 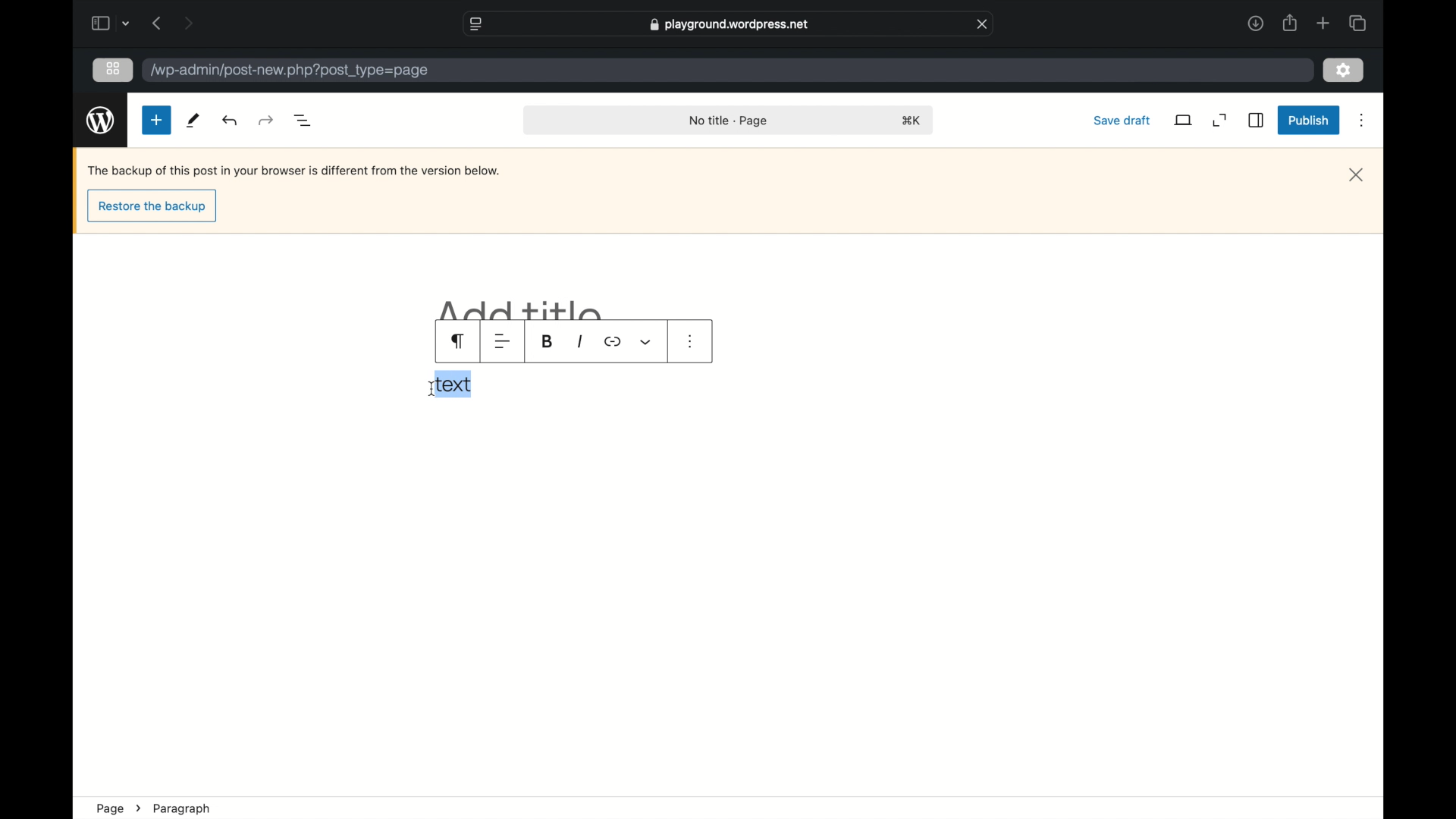 I want to click on website settings, so click(x=475, y=23).